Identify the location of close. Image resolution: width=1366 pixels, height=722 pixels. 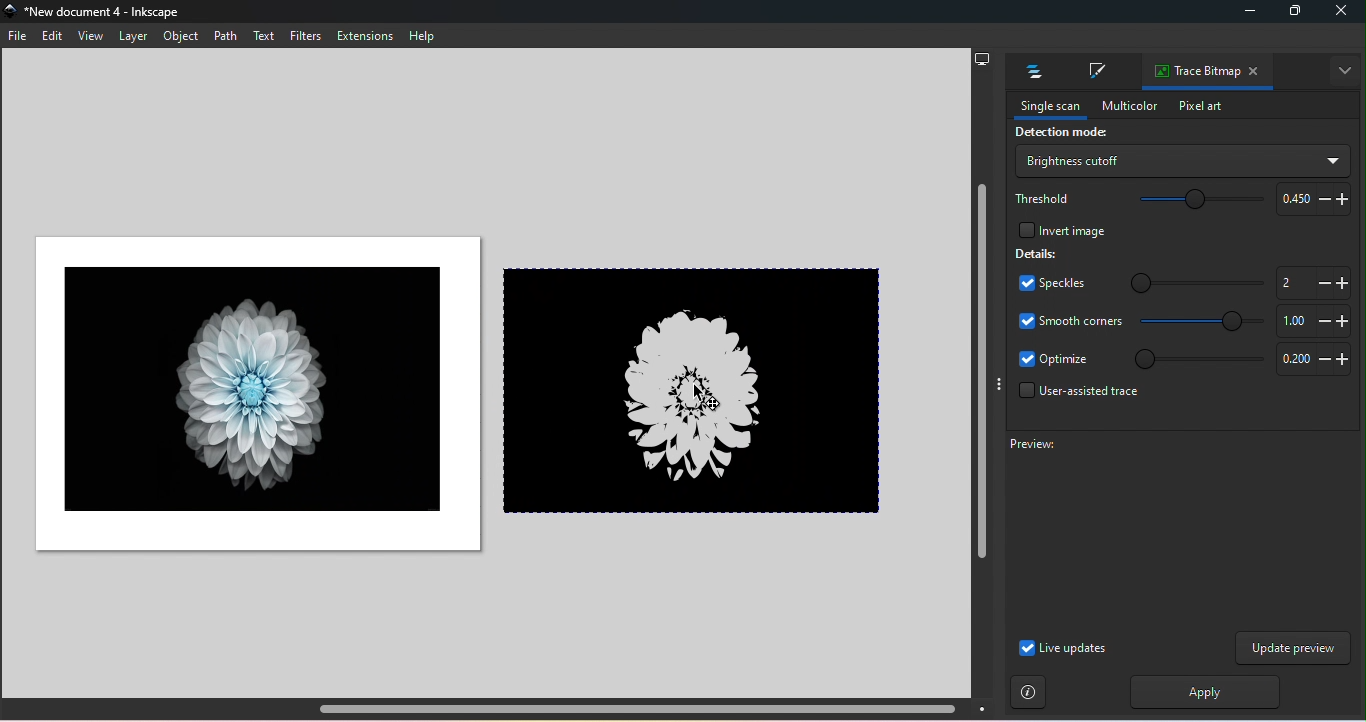
(1342, 13).